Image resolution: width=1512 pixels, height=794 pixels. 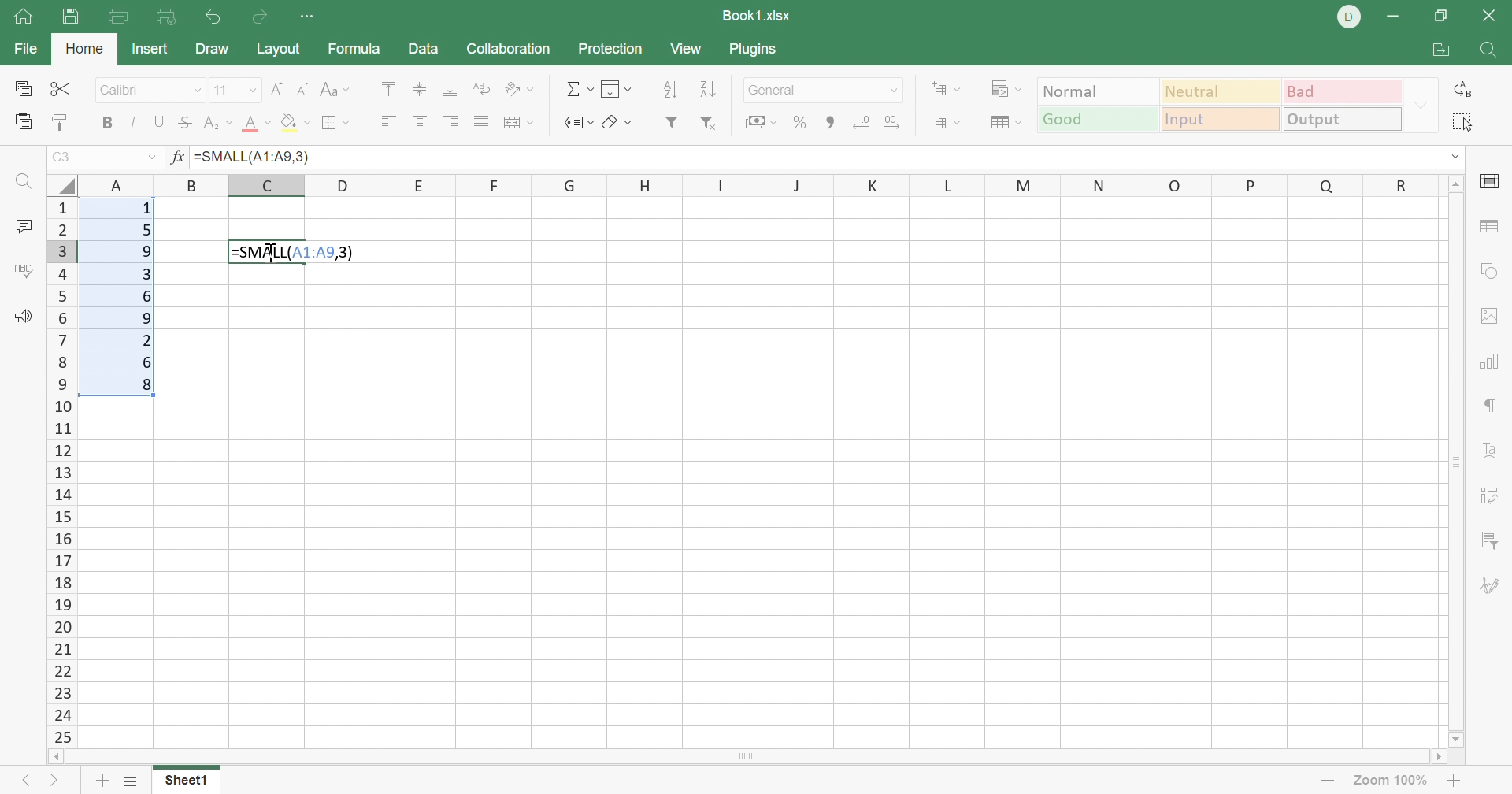 I want to click on Layout, so click(x=279, y=48).